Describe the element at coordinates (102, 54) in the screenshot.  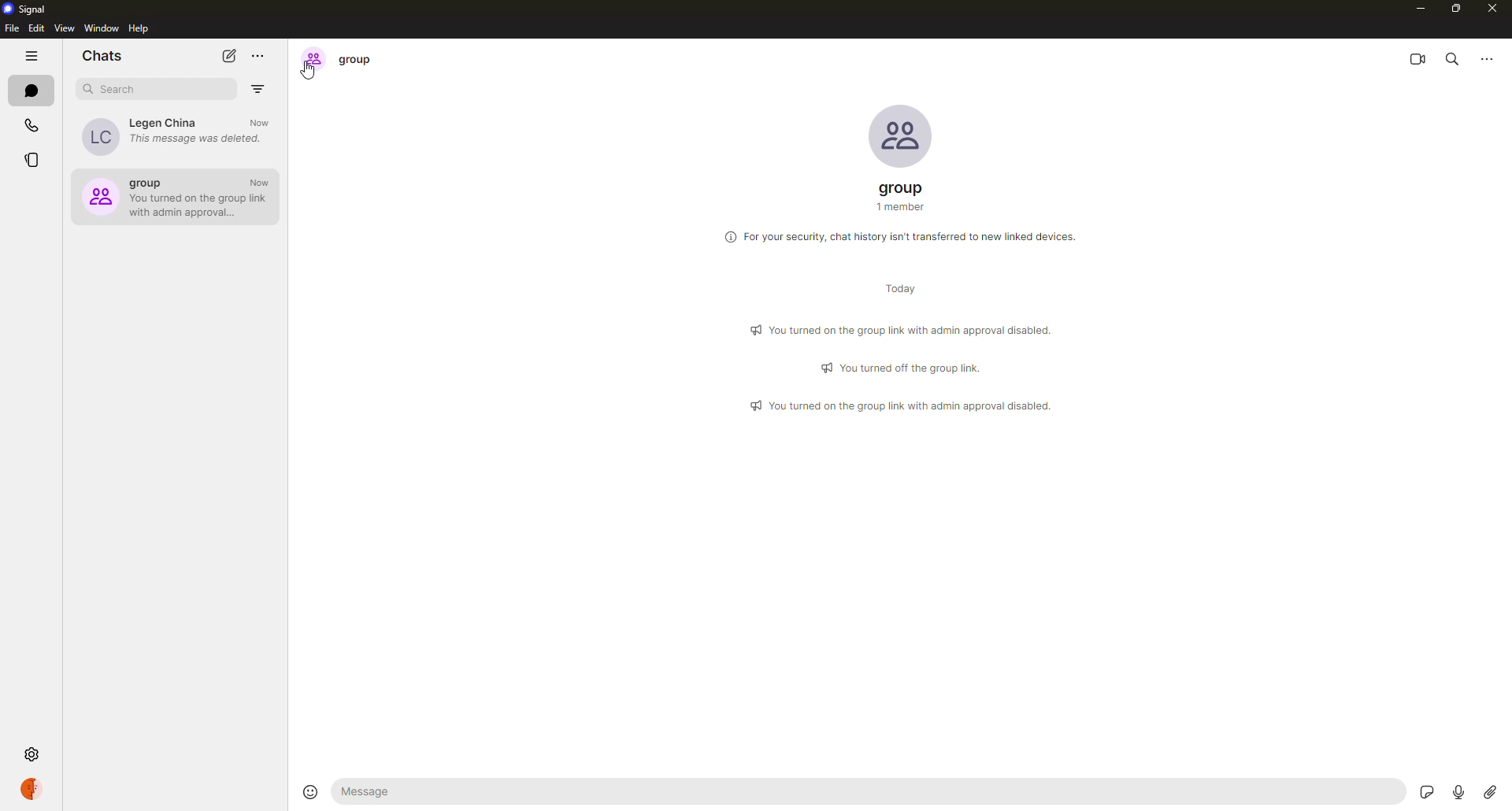
I see `chats` at that location.